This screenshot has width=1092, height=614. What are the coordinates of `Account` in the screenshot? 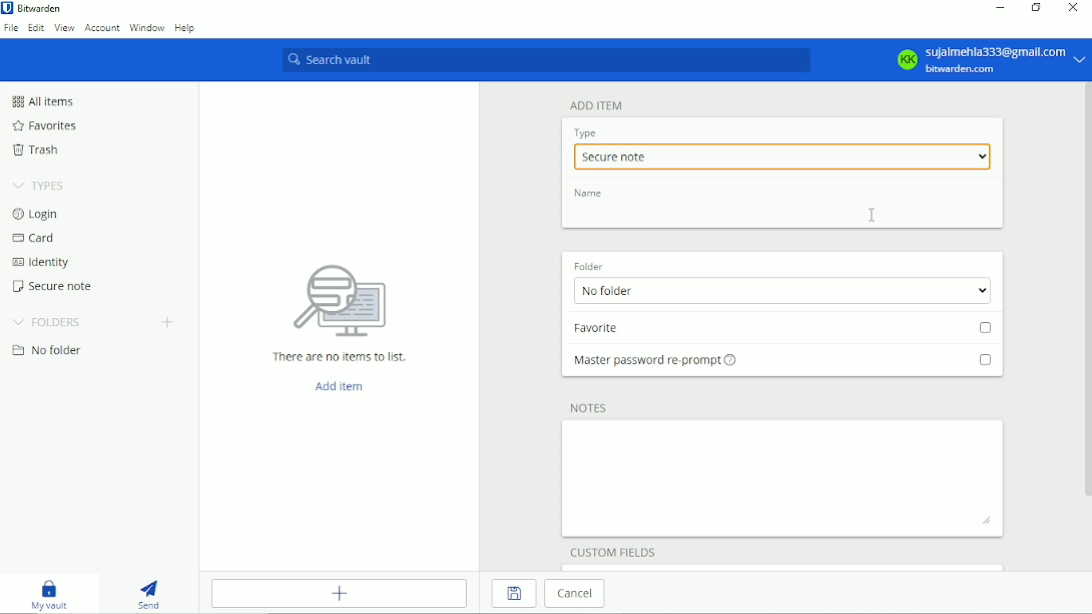 It's located at (102, 28).